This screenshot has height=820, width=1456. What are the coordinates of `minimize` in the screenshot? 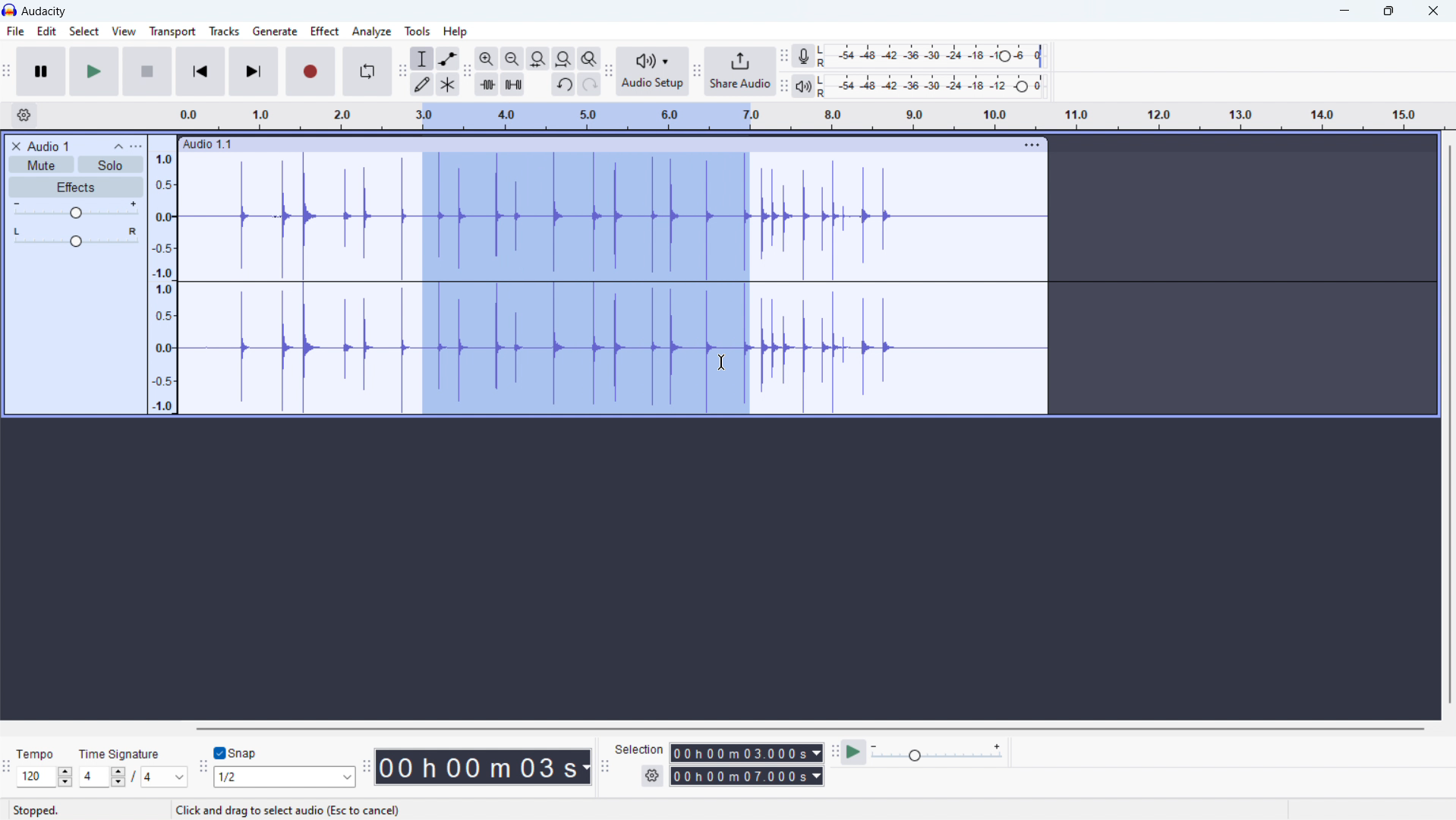 It's located at (1344, 11).